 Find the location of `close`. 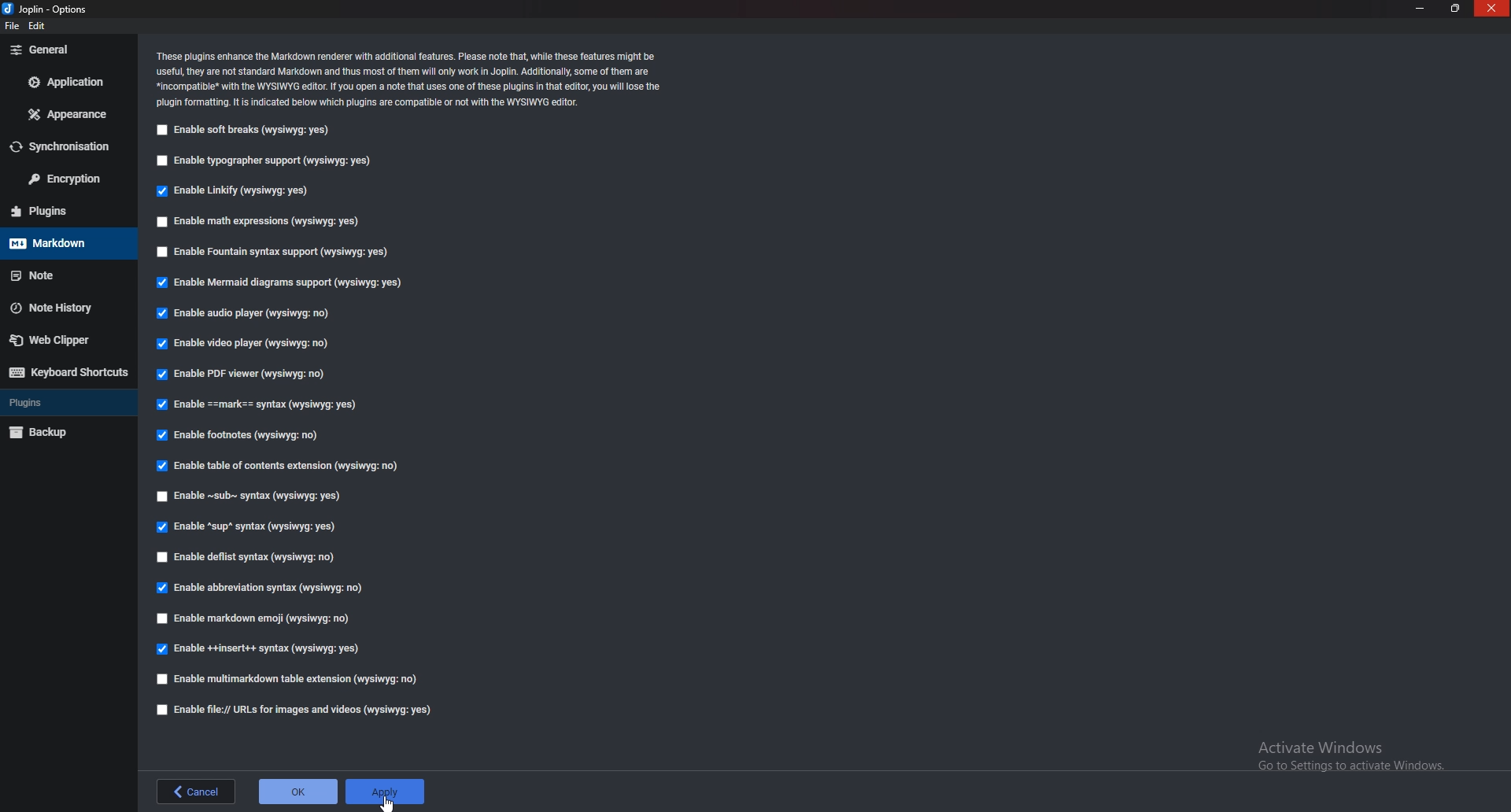

close is located at coordinates (1491, 9).